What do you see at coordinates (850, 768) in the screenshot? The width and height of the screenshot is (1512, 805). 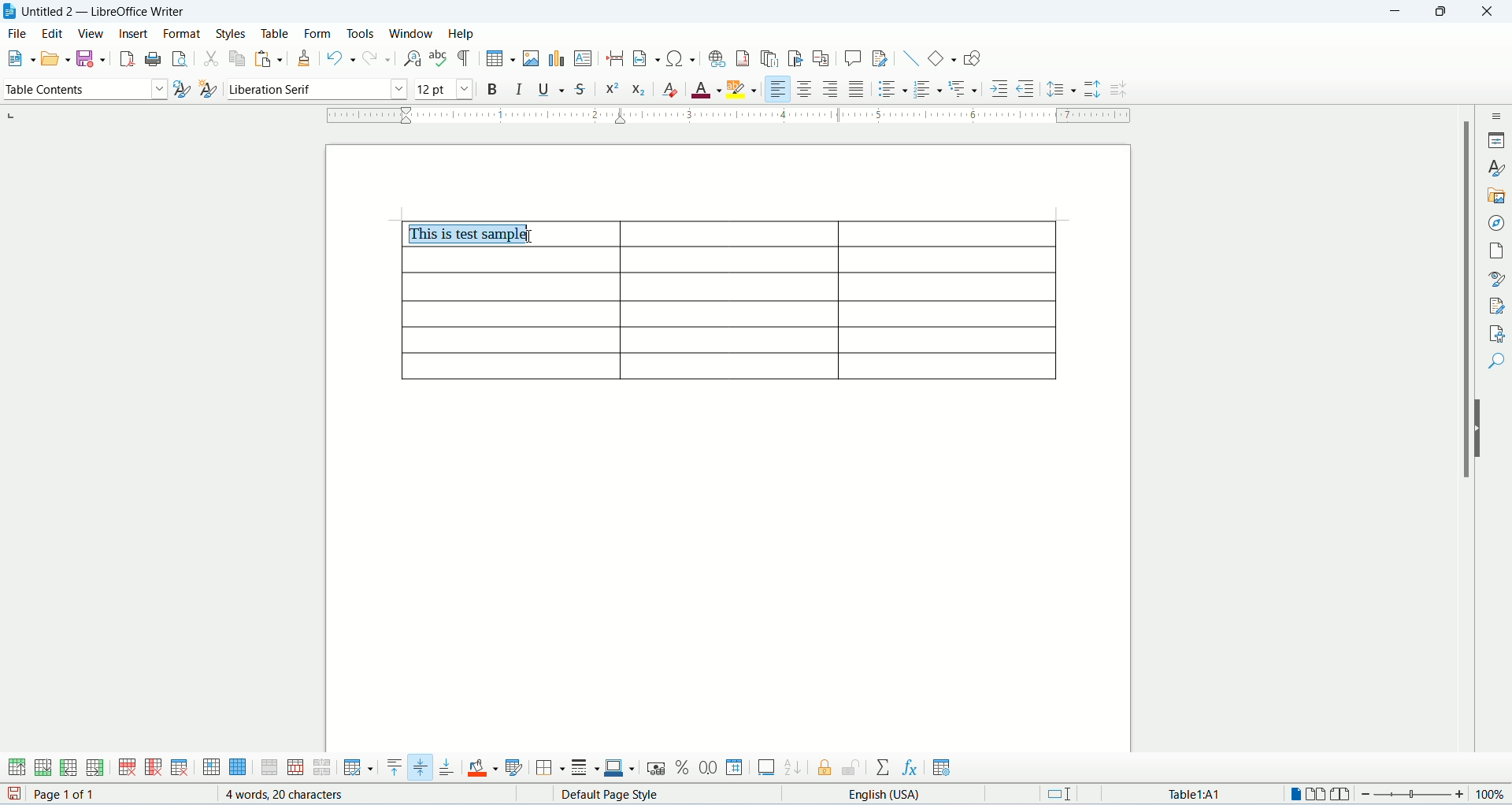 I see `unprotect cells` at bounding box center [850, 768].